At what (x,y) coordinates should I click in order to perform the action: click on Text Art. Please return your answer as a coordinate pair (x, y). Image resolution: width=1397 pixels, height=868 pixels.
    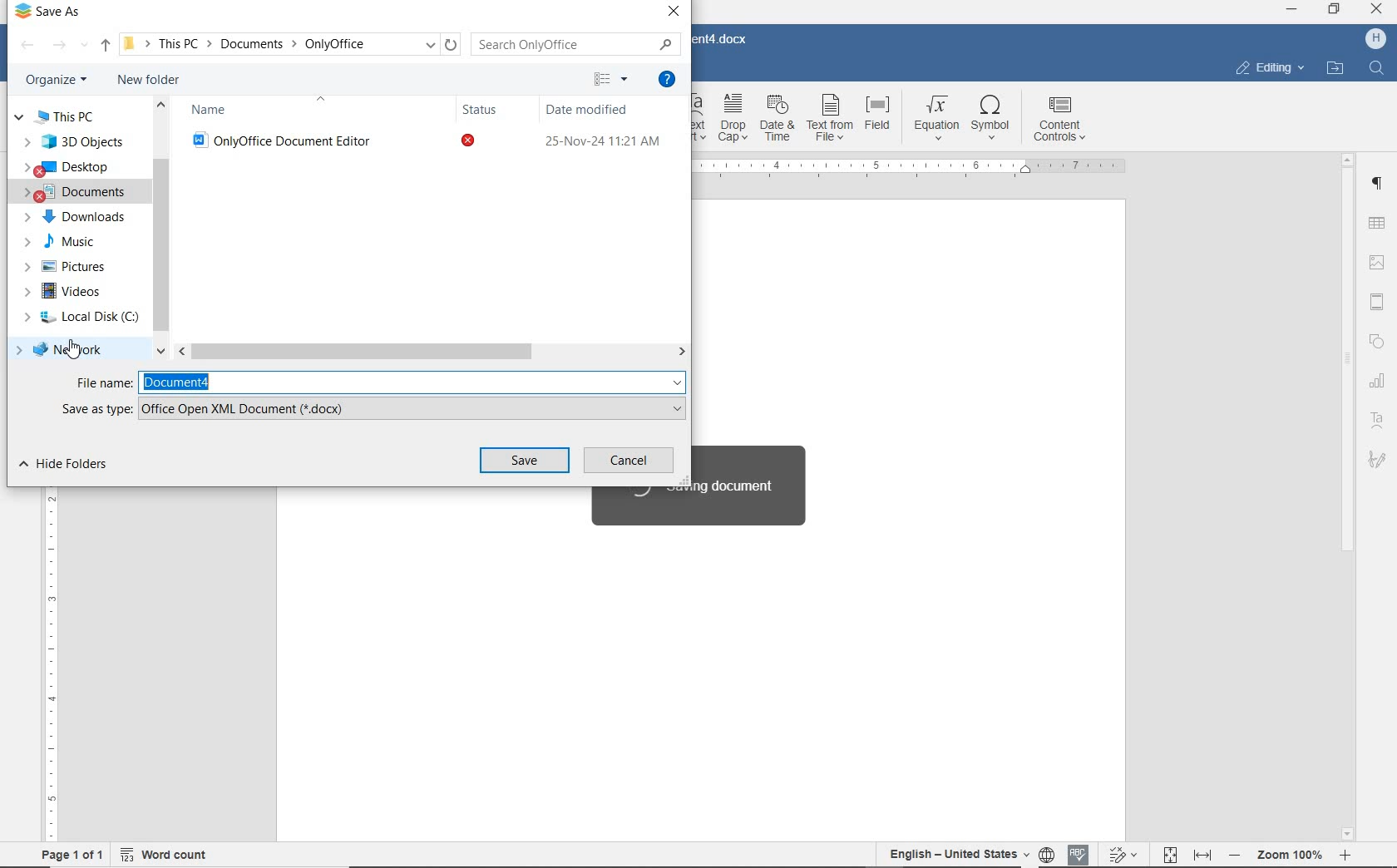
    Looking at the image, I should click on (698, 116).